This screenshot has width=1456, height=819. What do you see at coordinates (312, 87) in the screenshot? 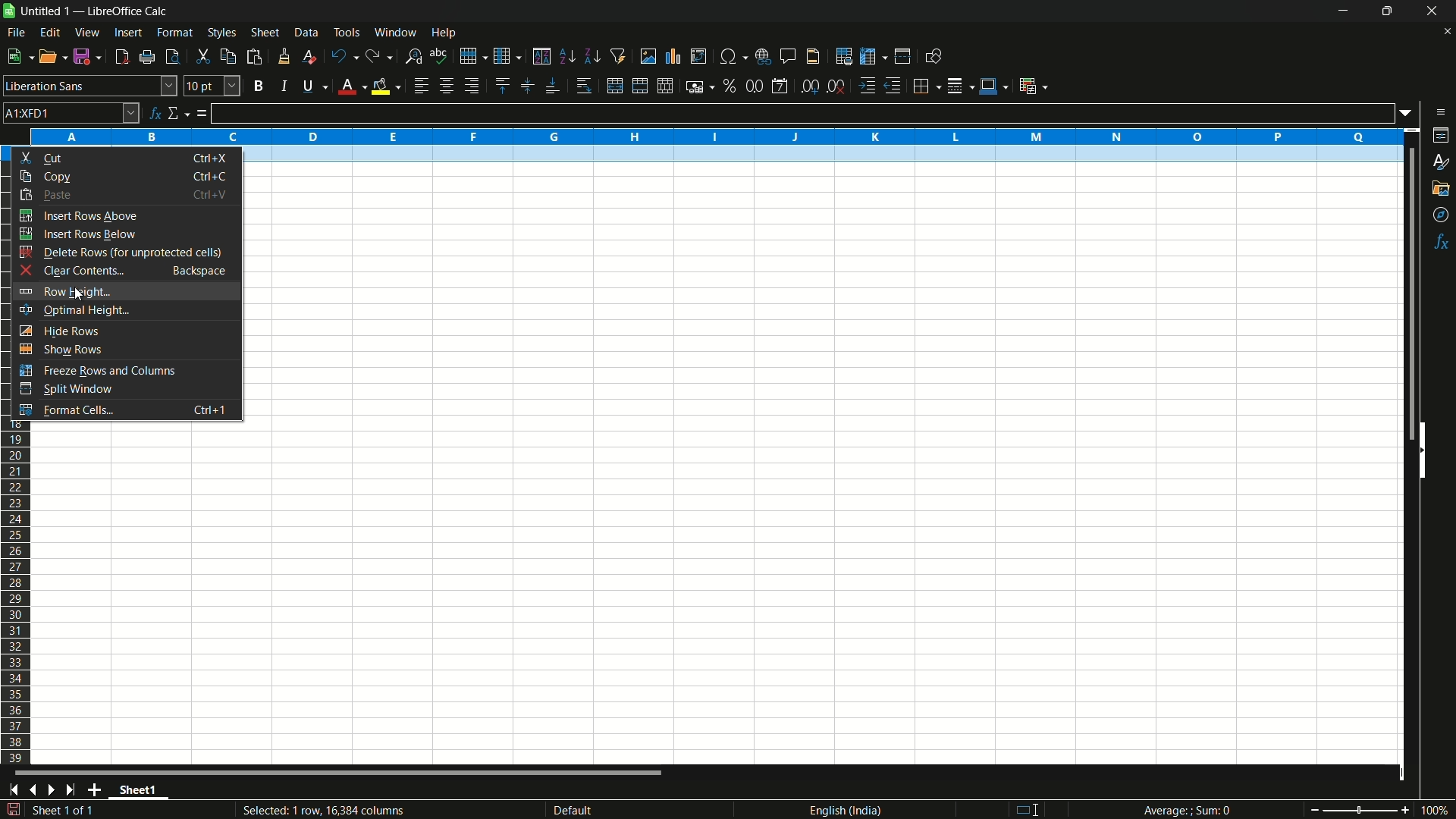
I see `underline` at bounding box center [312, 87].